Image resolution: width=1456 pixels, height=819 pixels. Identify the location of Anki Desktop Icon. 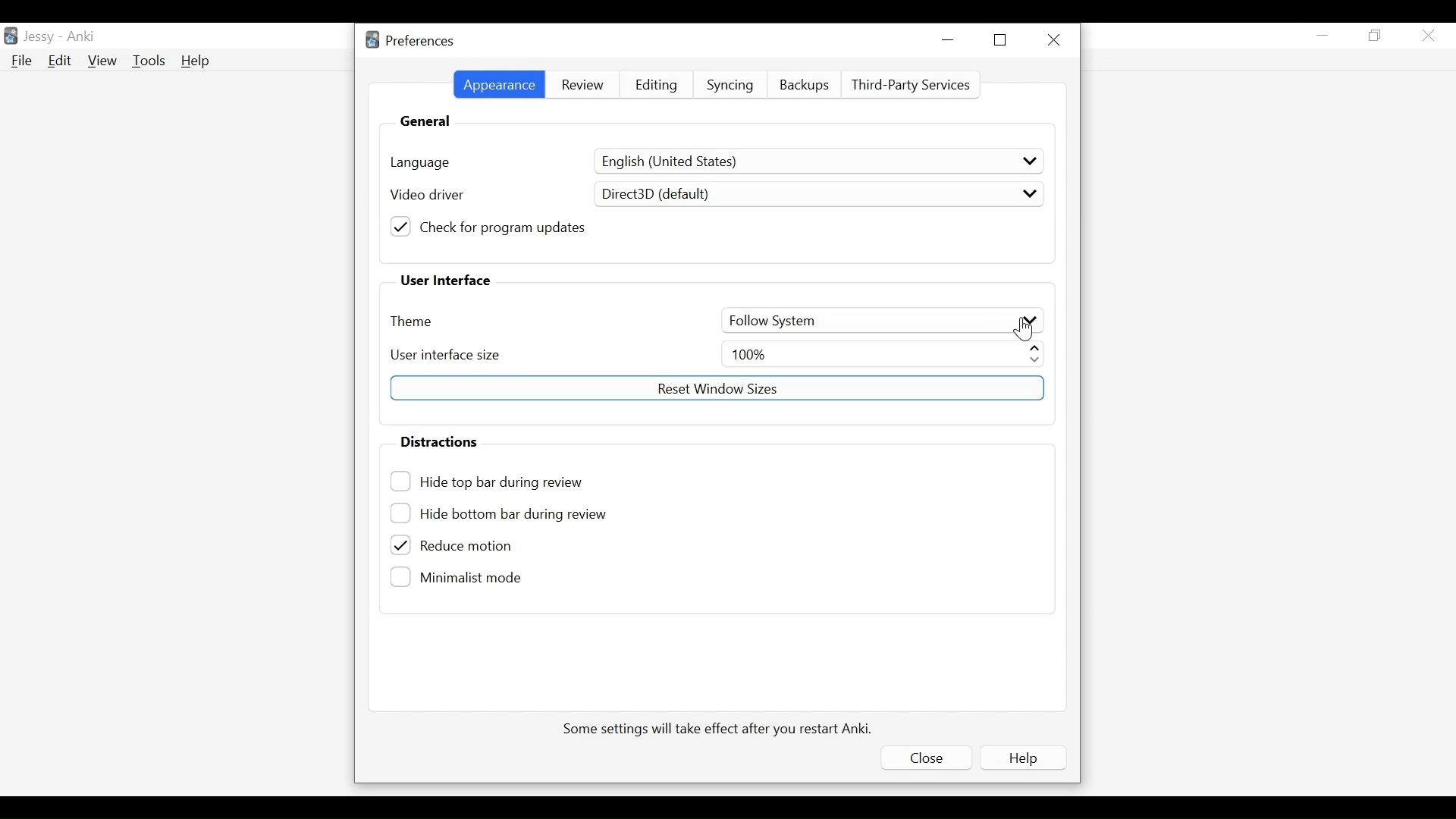
(11, 36).